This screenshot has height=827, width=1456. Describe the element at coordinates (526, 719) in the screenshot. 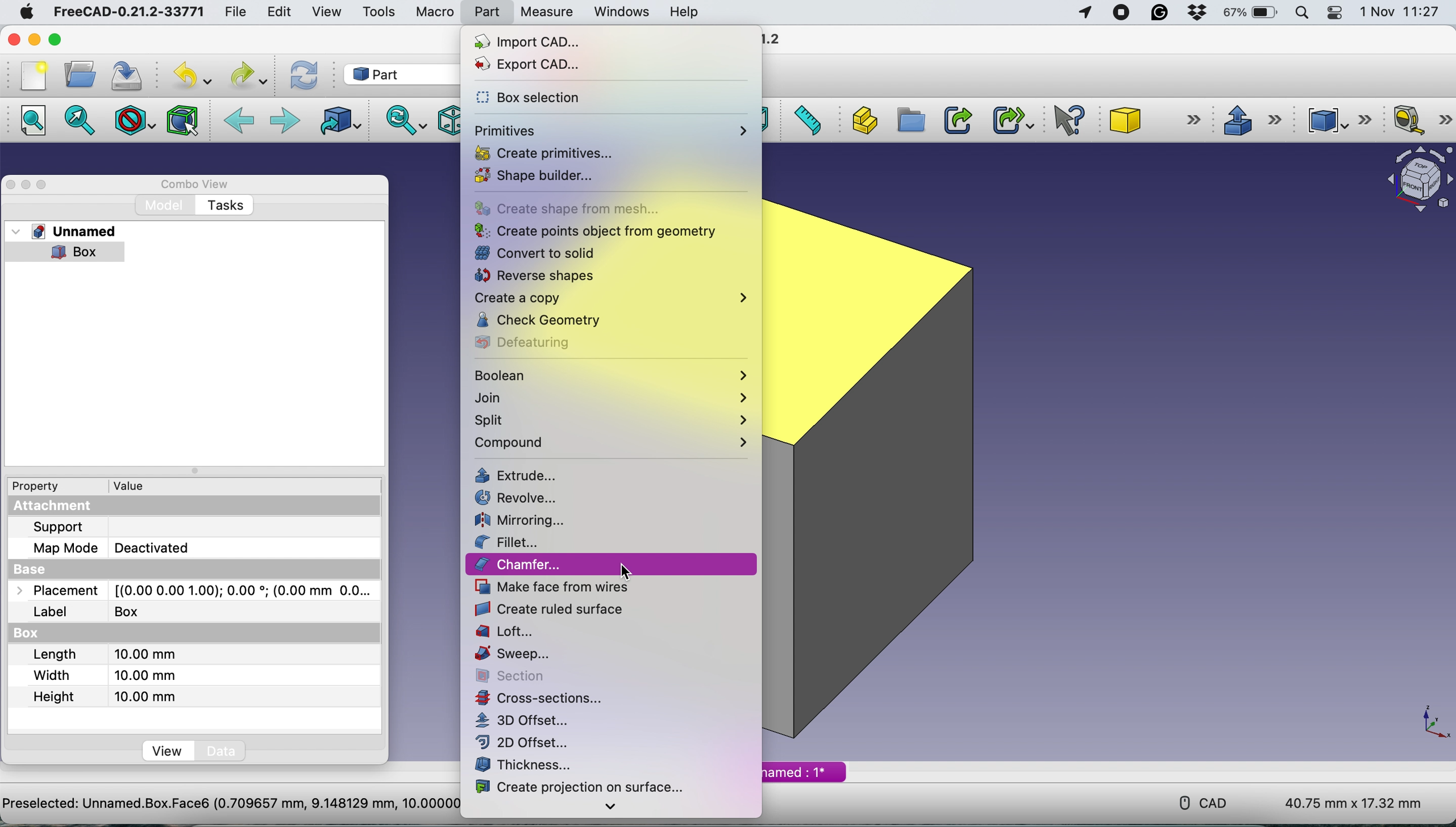

I see `3d offset` at that location.